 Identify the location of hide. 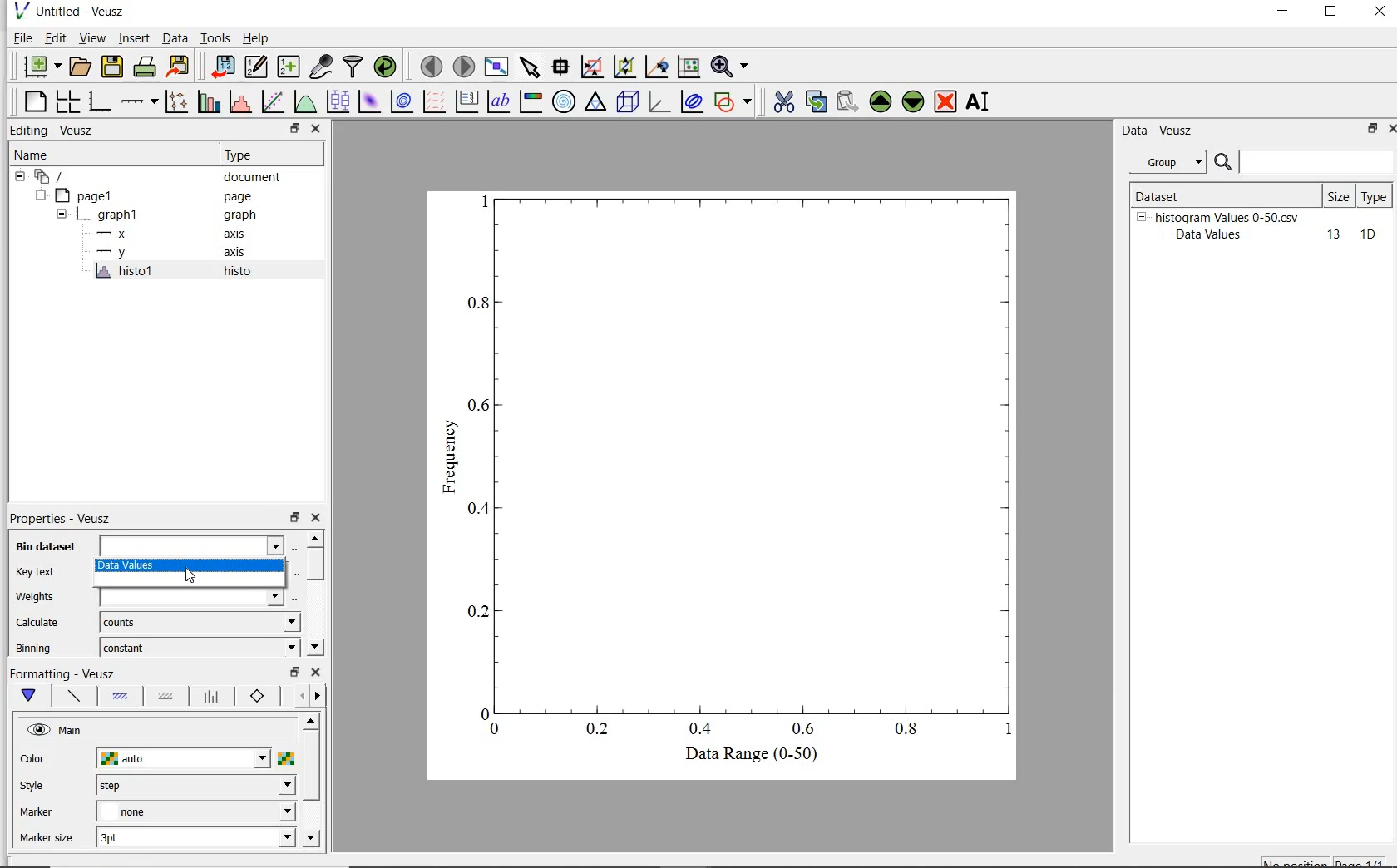
(39, 195).